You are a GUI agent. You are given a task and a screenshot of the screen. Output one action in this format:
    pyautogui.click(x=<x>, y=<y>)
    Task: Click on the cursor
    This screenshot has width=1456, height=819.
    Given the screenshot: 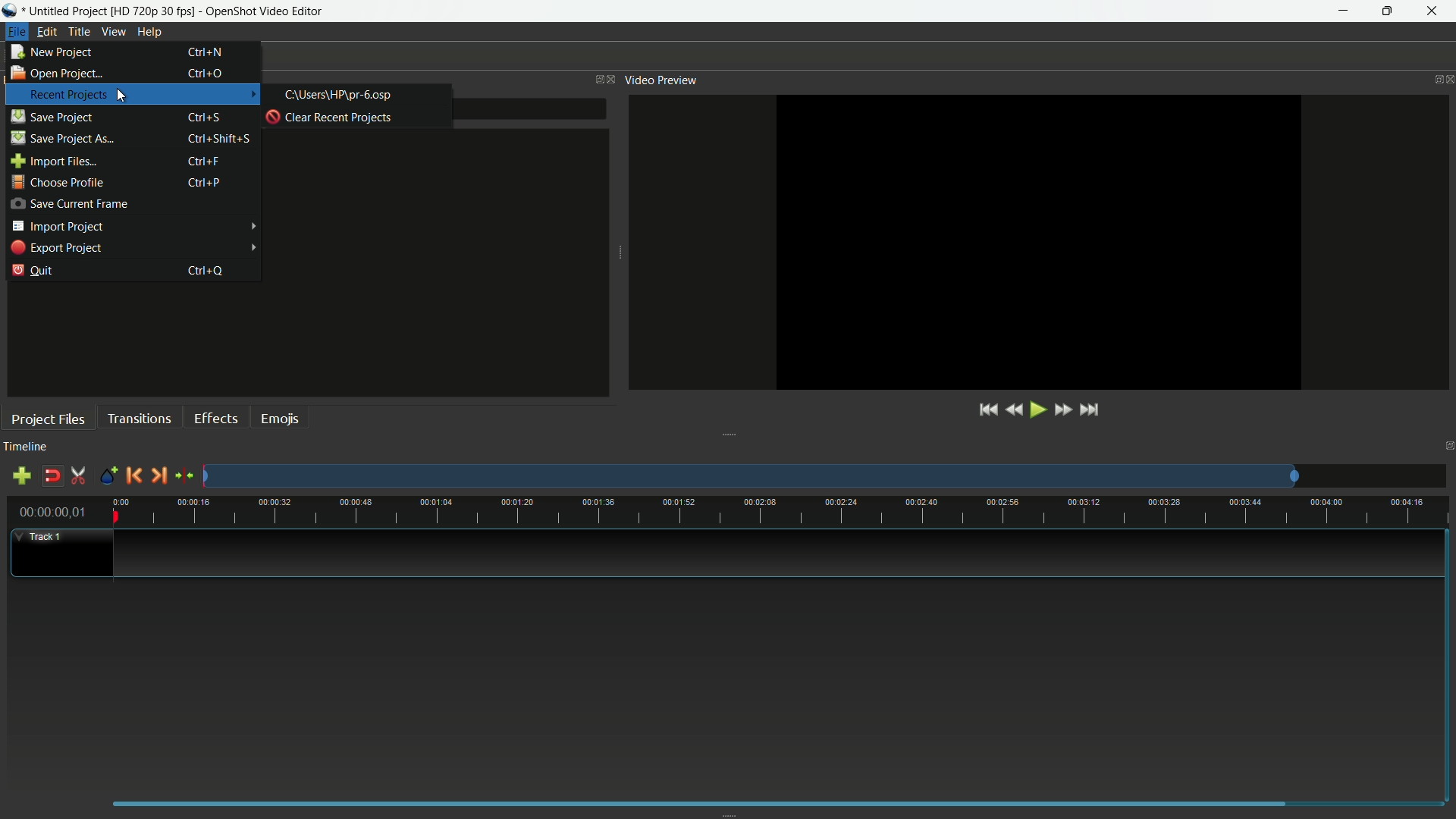 What is the action you would take?
    pyautogui.click(x=122, y=96)
    